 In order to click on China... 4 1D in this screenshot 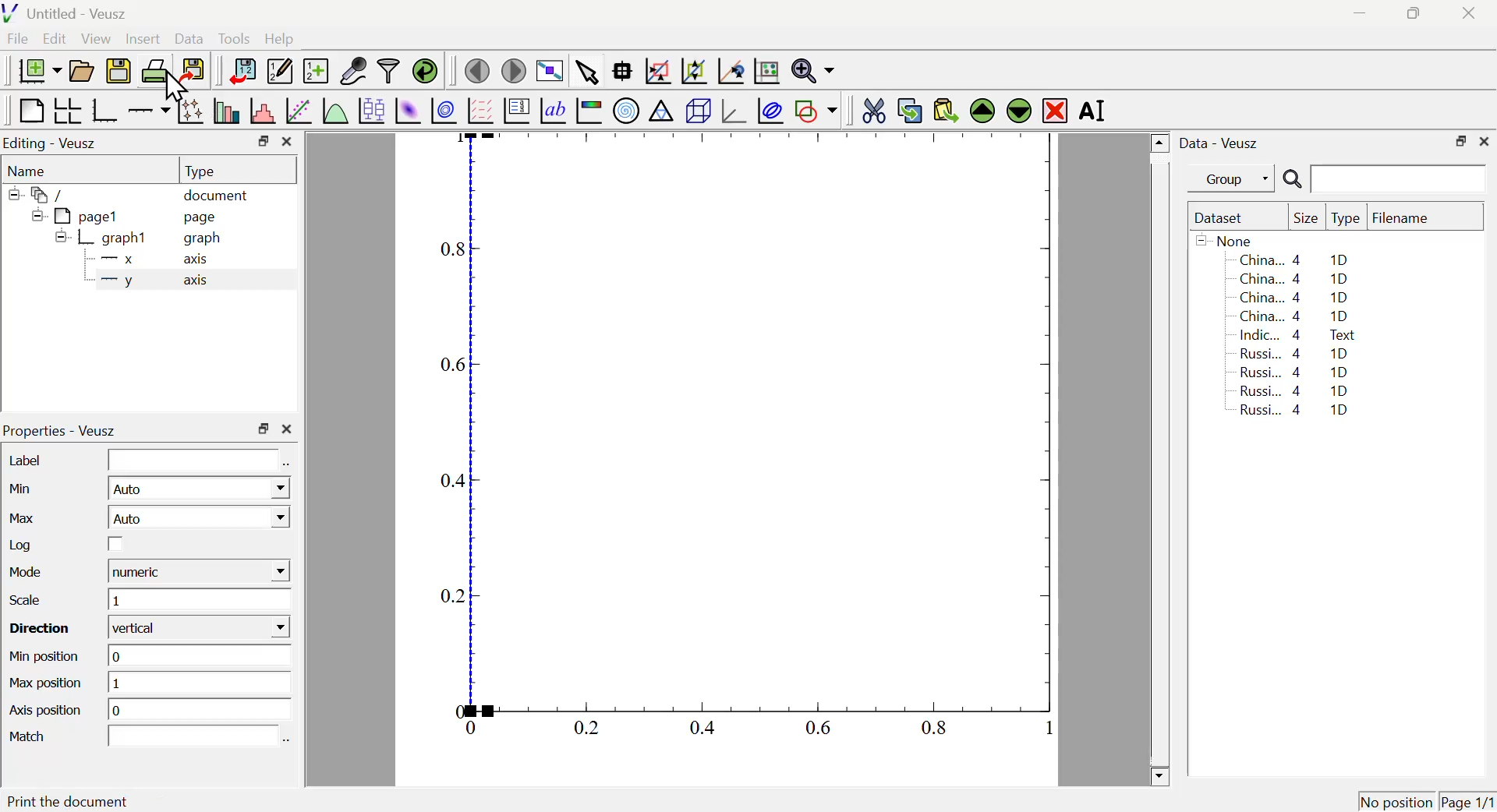, I will do `click(1296, 298)`.